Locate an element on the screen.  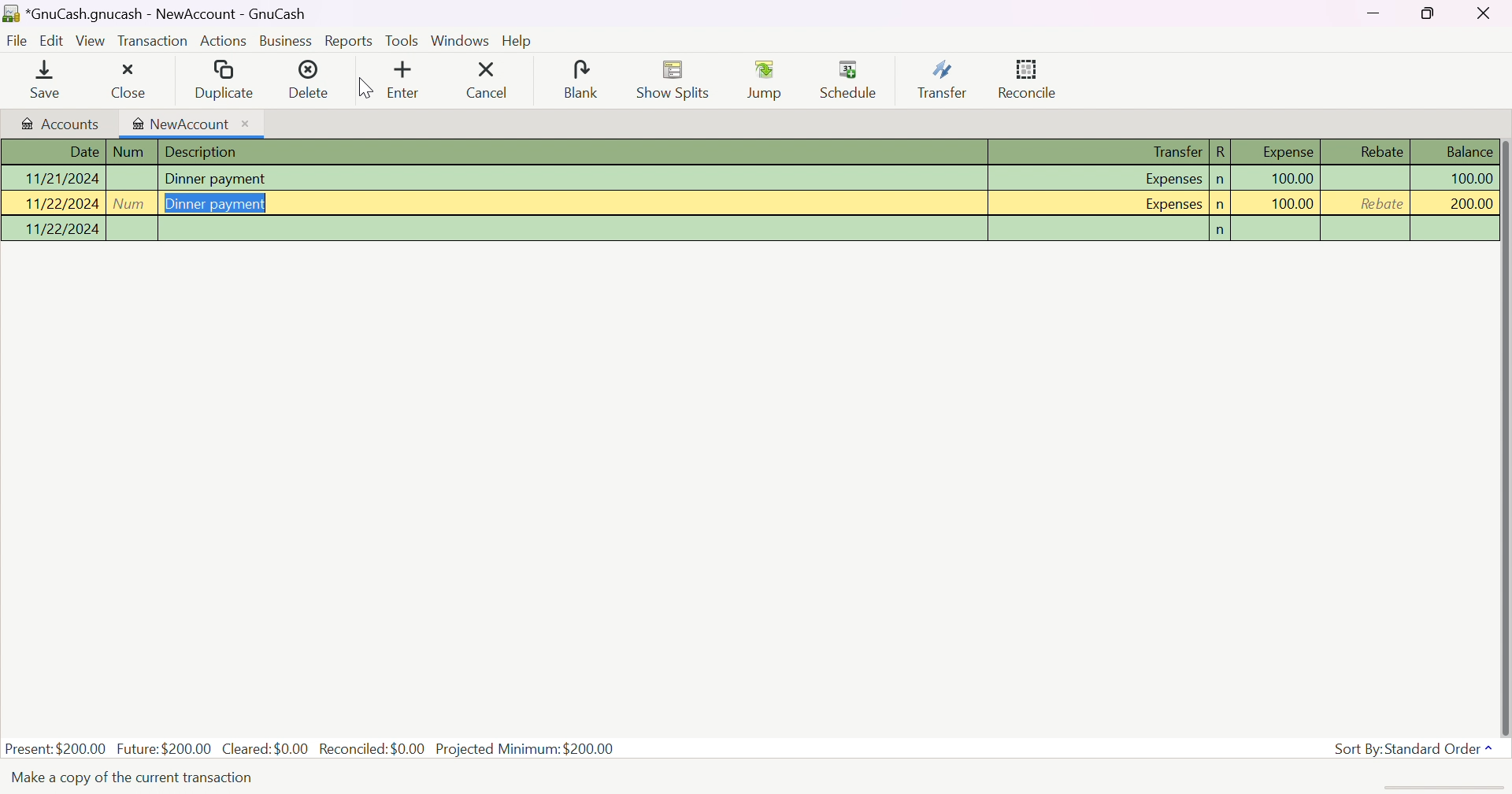
Present: $200.00 is located at coordinates (59, 749).